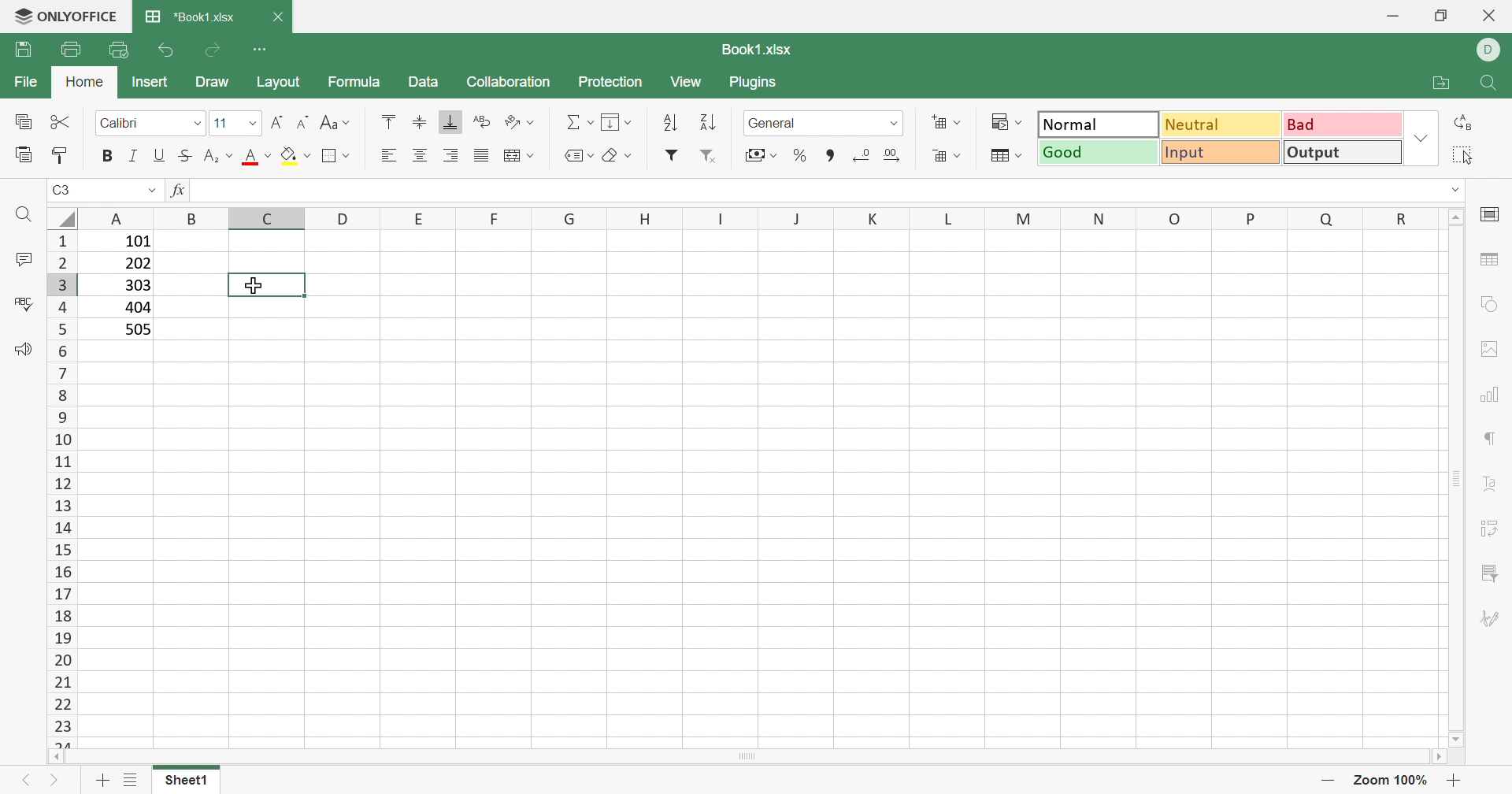 This screenshot has width=1512, height=794. Describe the element at coordinates (384, 120) in the screenshot. I see `Align Top` at that location.